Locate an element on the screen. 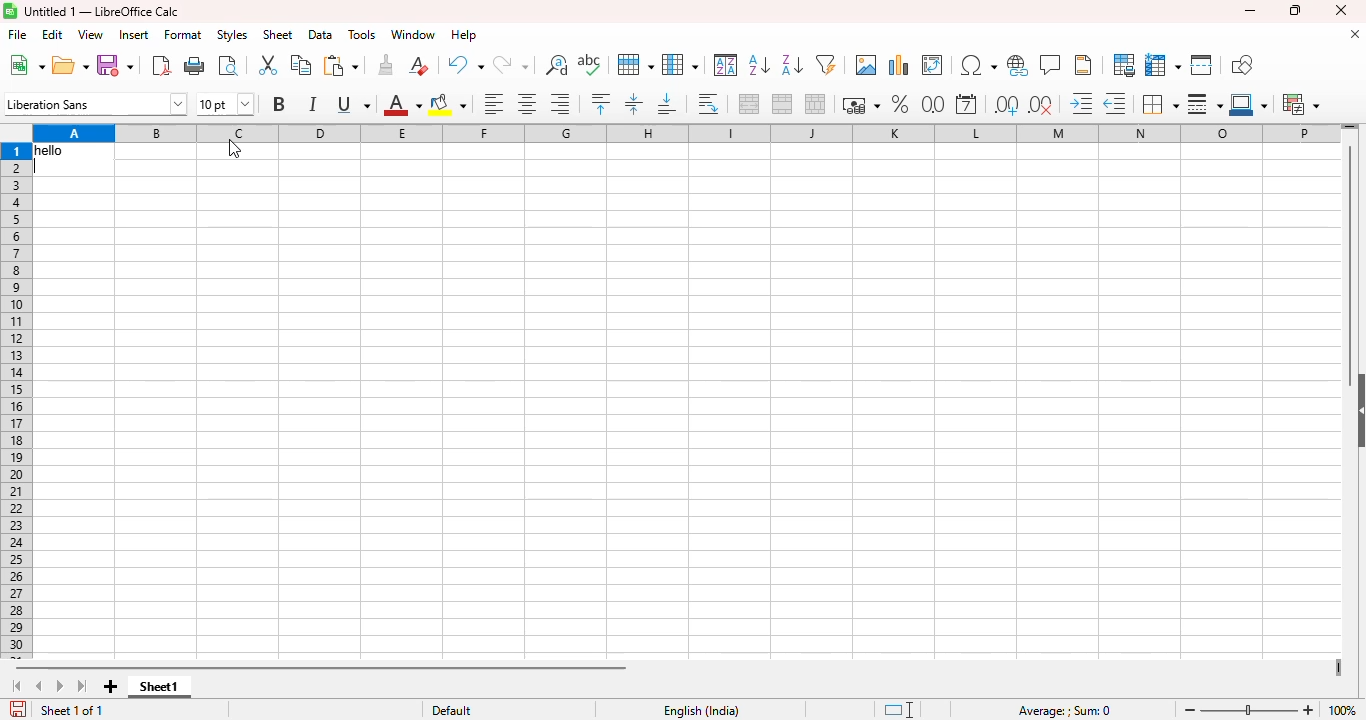 Image resolution: width=1366 pixels, height=720 pixels. format as currency is located at coordinates (860, 105).